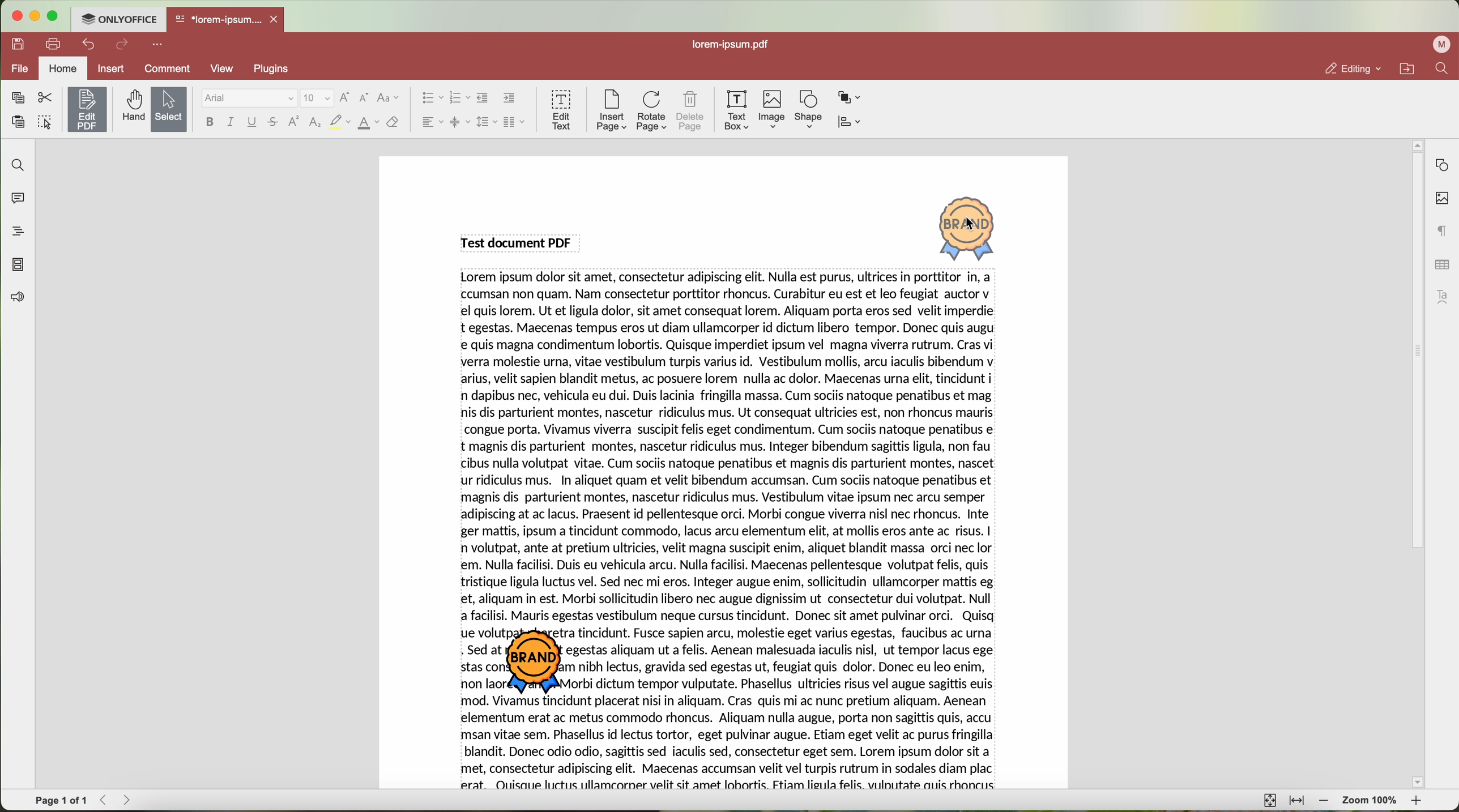  I want to click on editing, so click(1352, 69).